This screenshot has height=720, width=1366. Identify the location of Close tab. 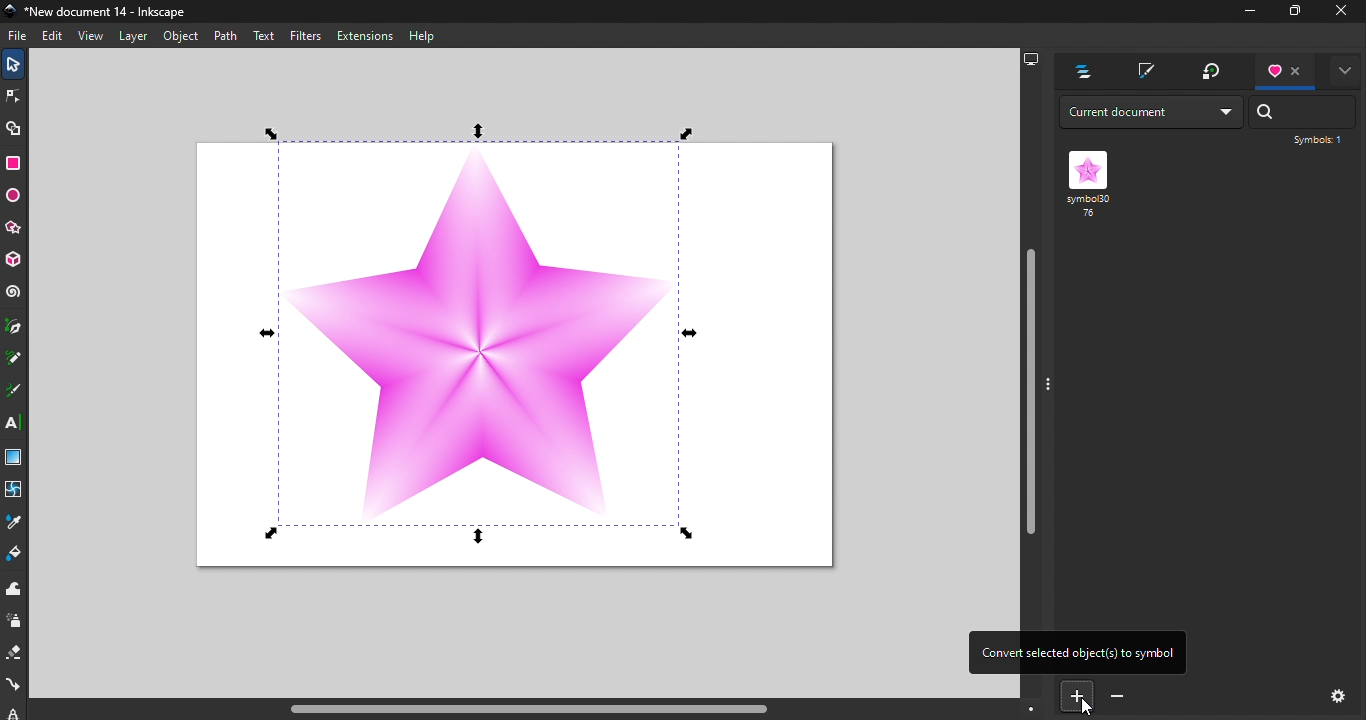
(1294, 69).